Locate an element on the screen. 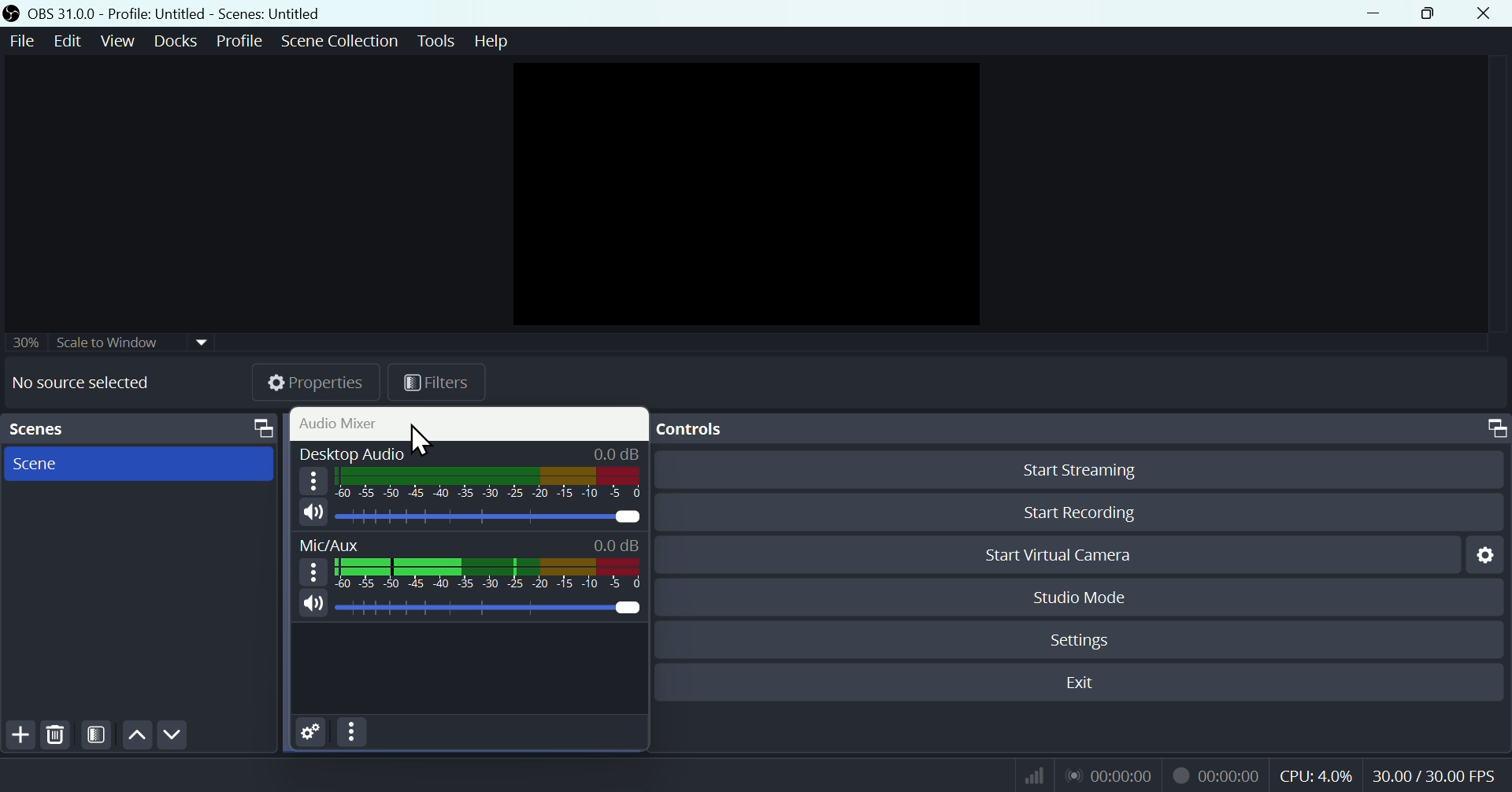 Image resolution: width=1512 pixels, height=792 pixels. (un)mute is located at coordinates (313, 513).